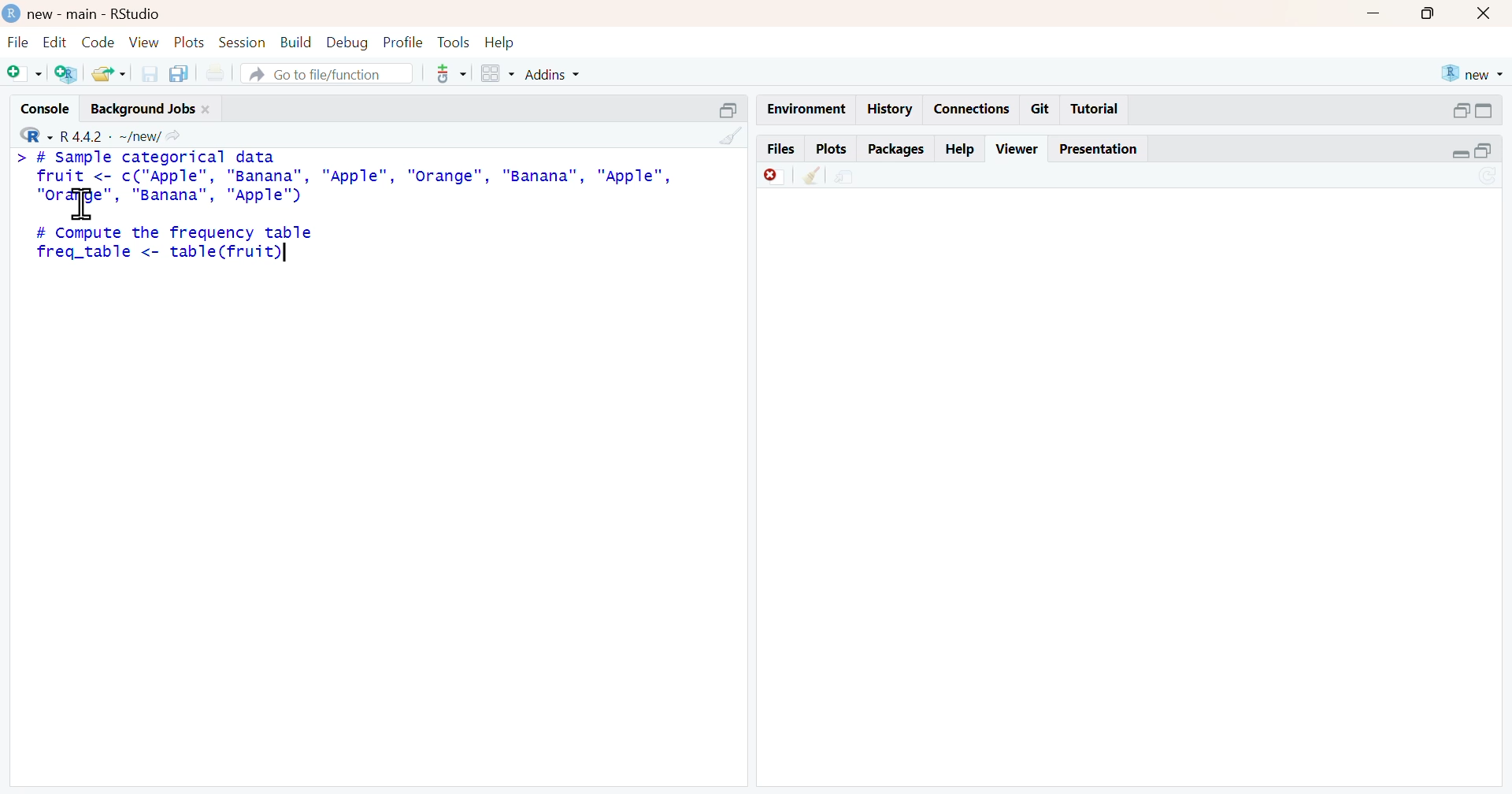 This screenshot has height=794, width=1512. I want to click on edit, so click(54, 42).